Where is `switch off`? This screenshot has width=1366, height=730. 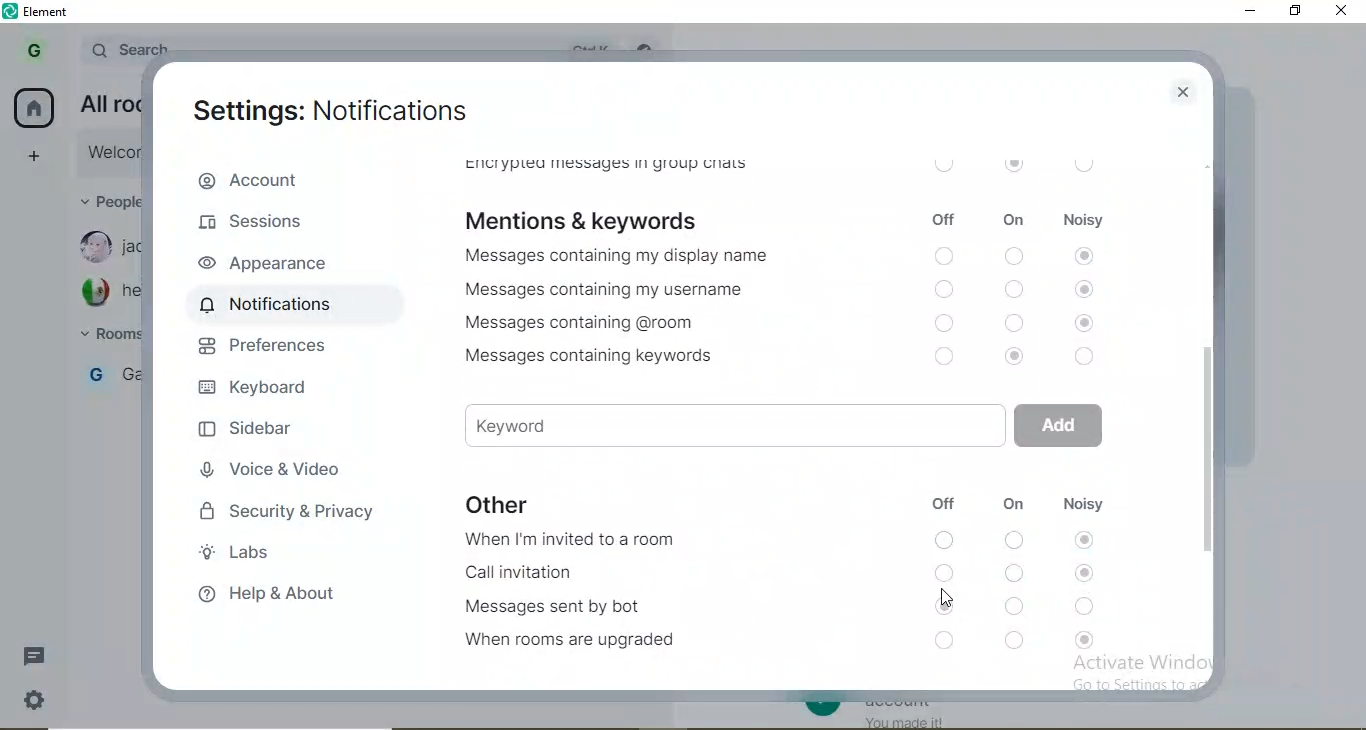
switch off is located at coordinates (947, 575).